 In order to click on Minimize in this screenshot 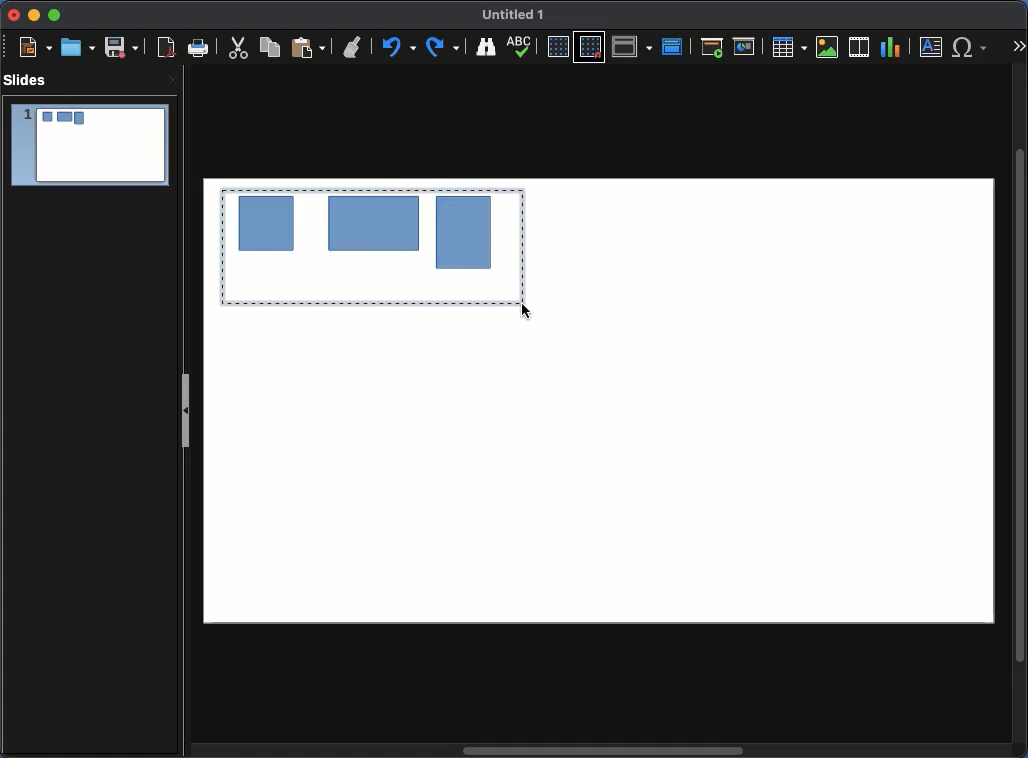, I will do `click(33, 16)`.